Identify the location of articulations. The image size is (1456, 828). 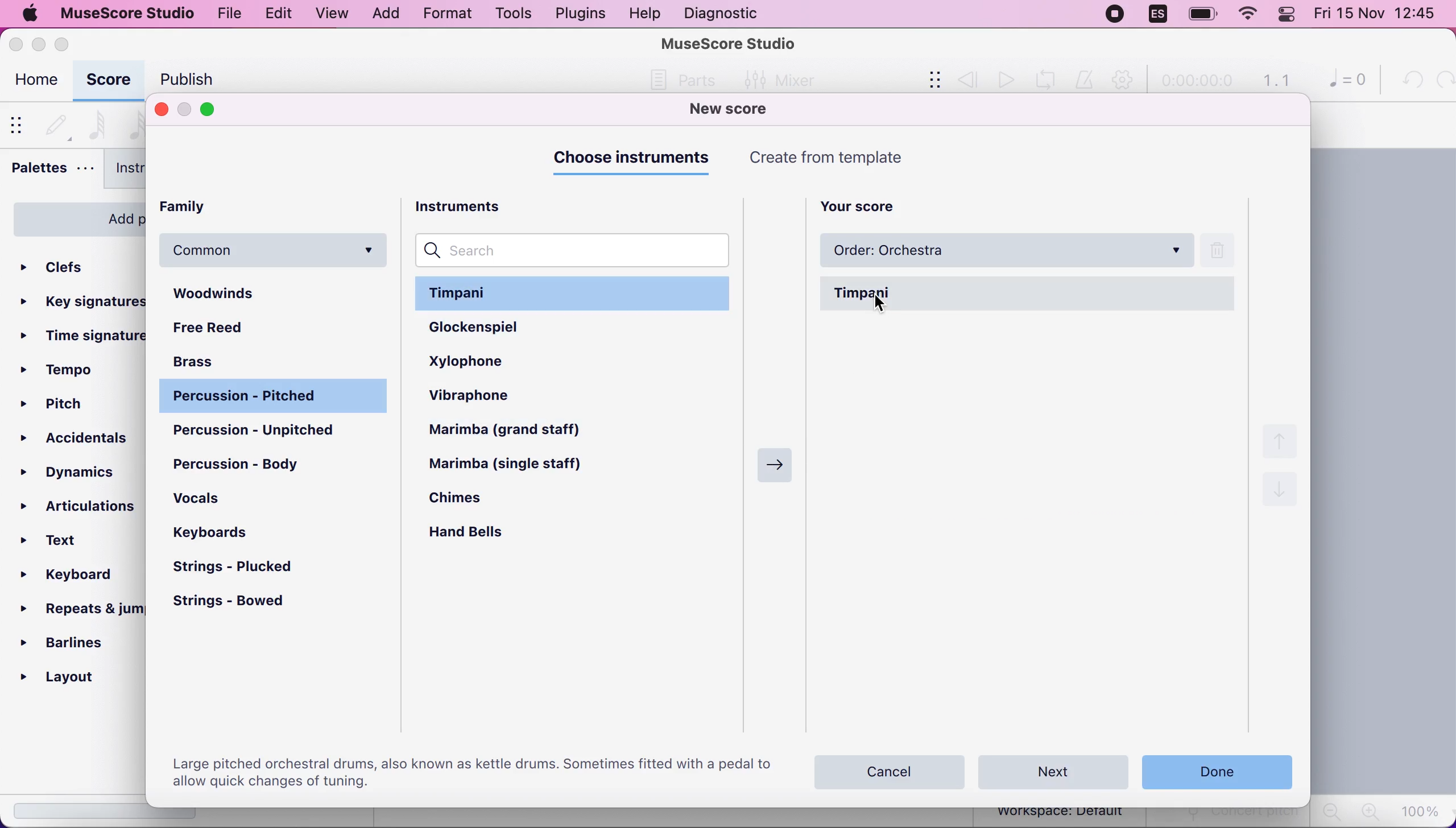
(80, 503).